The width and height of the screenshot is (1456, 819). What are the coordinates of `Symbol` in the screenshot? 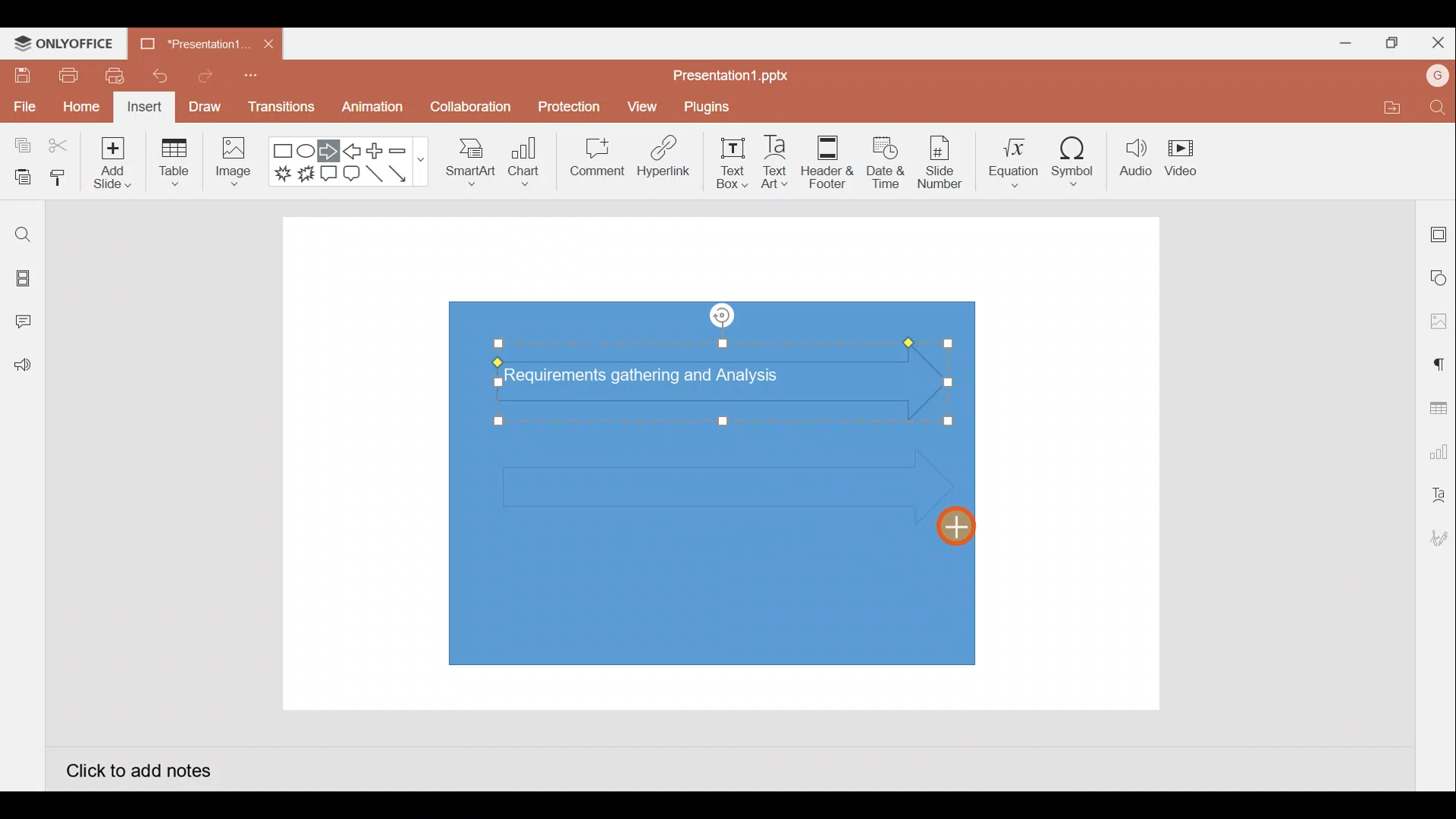 It's located at (1074, 158).